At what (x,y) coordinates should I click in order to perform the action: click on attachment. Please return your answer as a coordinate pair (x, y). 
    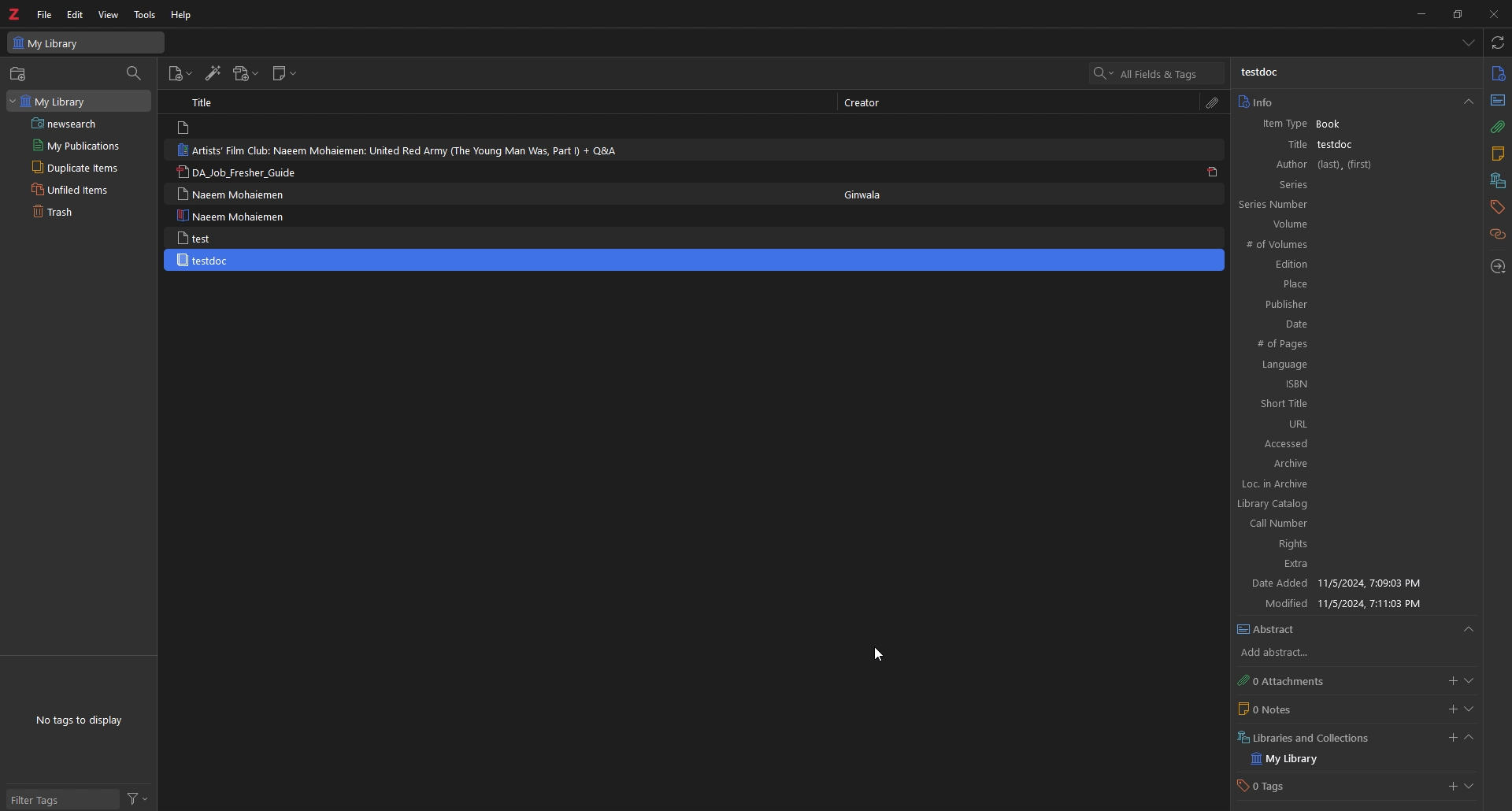
    Looking at the image, I should click on (1497, 128).